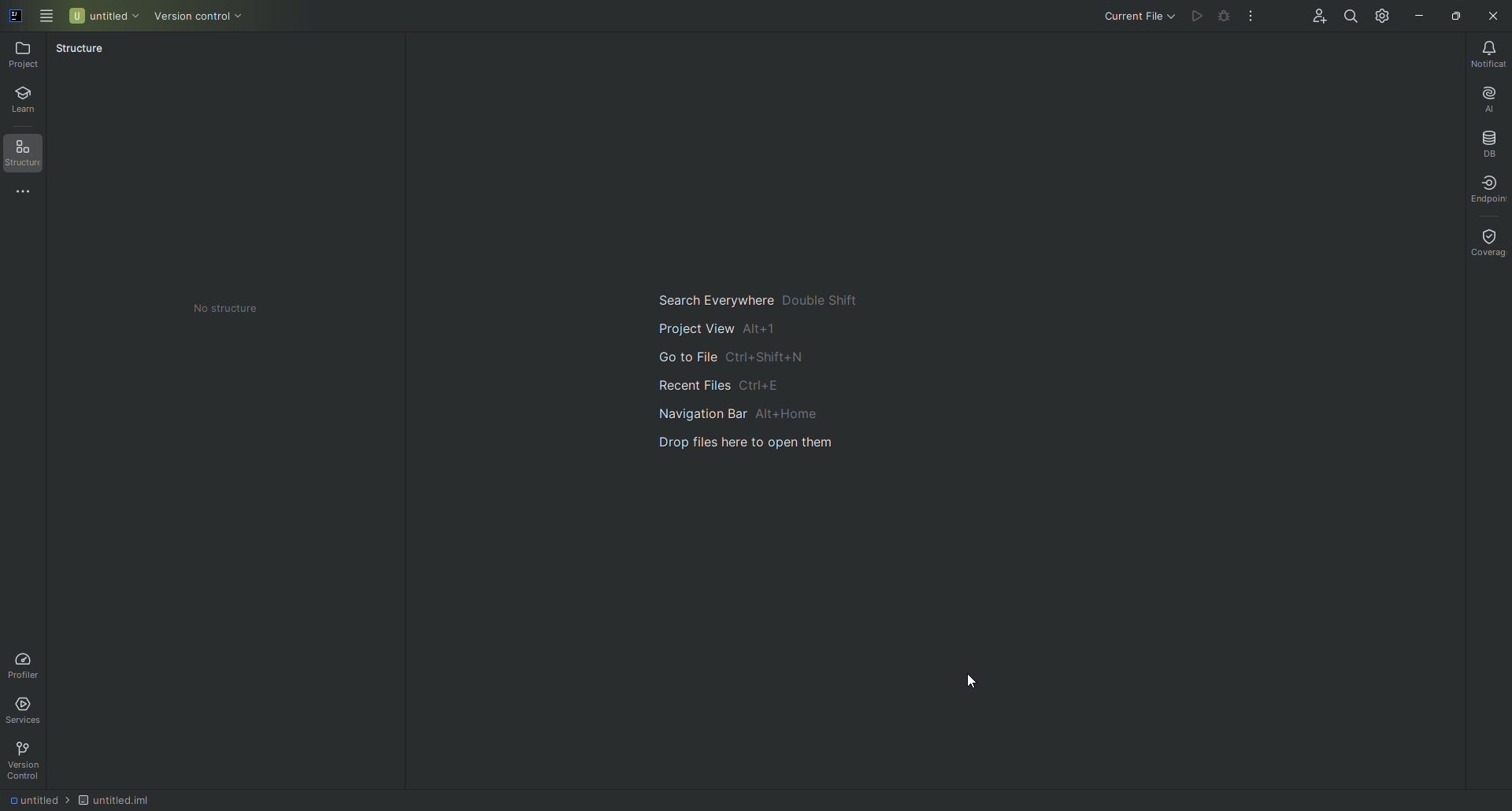 The height and width of the screenshot is (811, 1512). What do you see at coordinates (1487, 140) in the screenshot?
I see `Database` at bounding box center [1487, 140].